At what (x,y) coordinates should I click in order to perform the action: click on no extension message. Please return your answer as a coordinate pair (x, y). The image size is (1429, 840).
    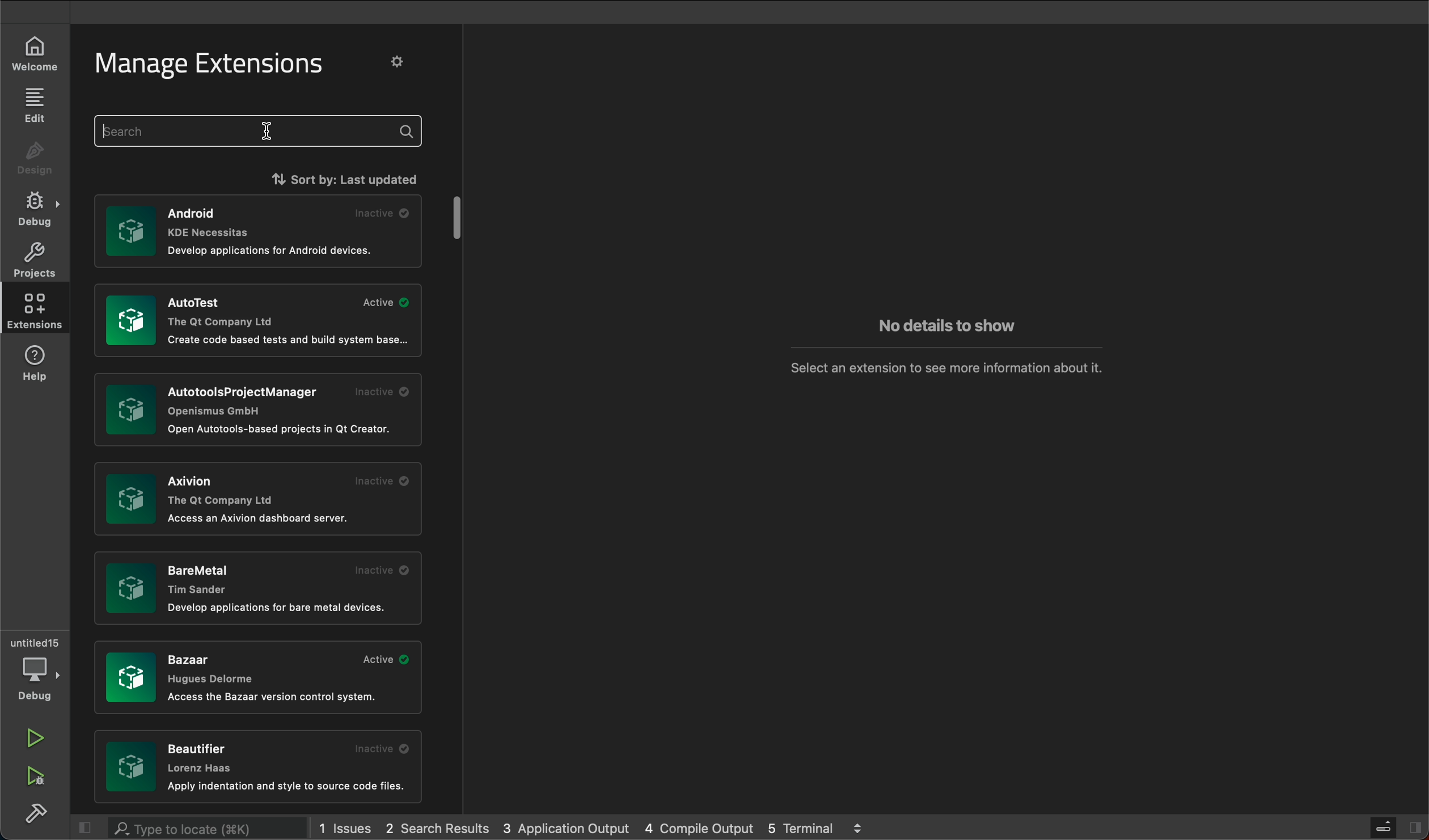
    Looking at the image, I should click on (947, 366).